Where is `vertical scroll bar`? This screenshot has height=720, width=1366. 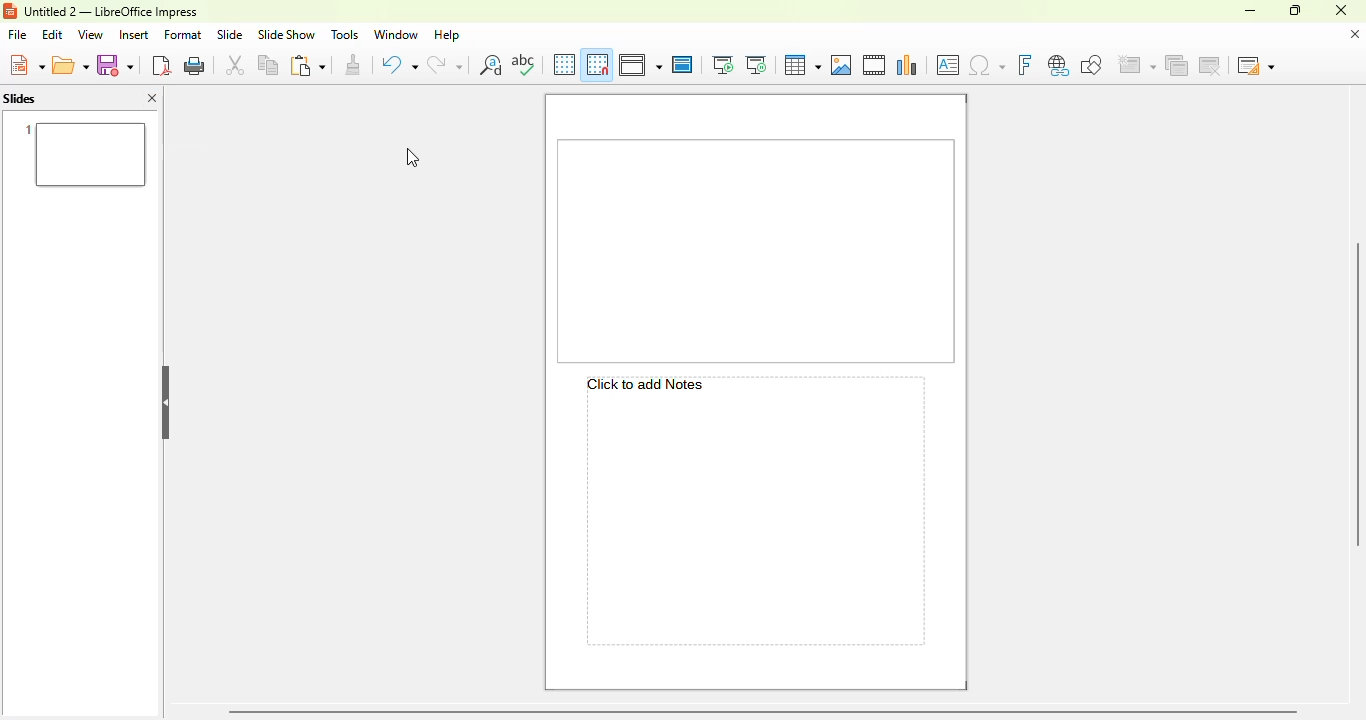 vertical scroll bar is located at coordinates (1356, 394).